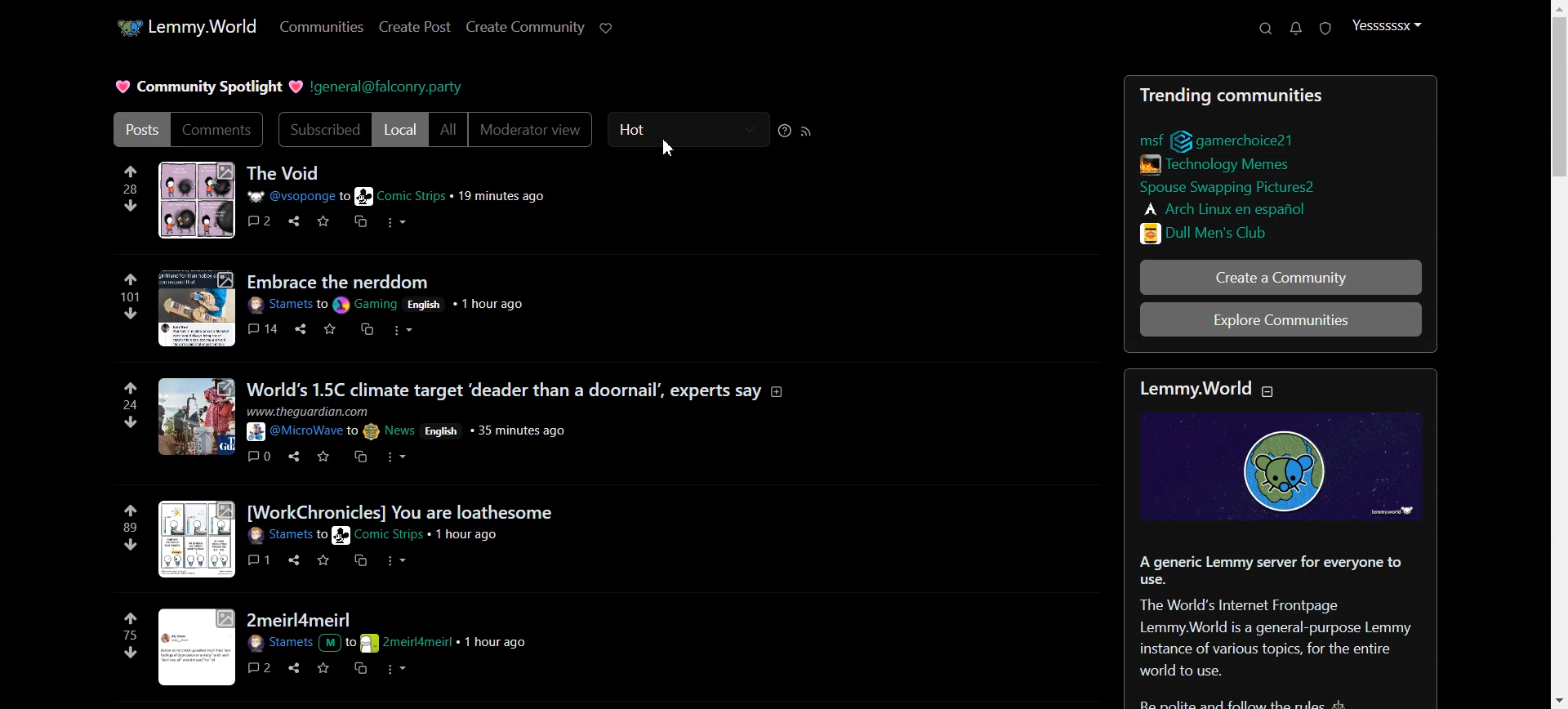  What do you see at coordinates (293, 667) in the screenshot?
I see `share` at bounding box center [293, 667].